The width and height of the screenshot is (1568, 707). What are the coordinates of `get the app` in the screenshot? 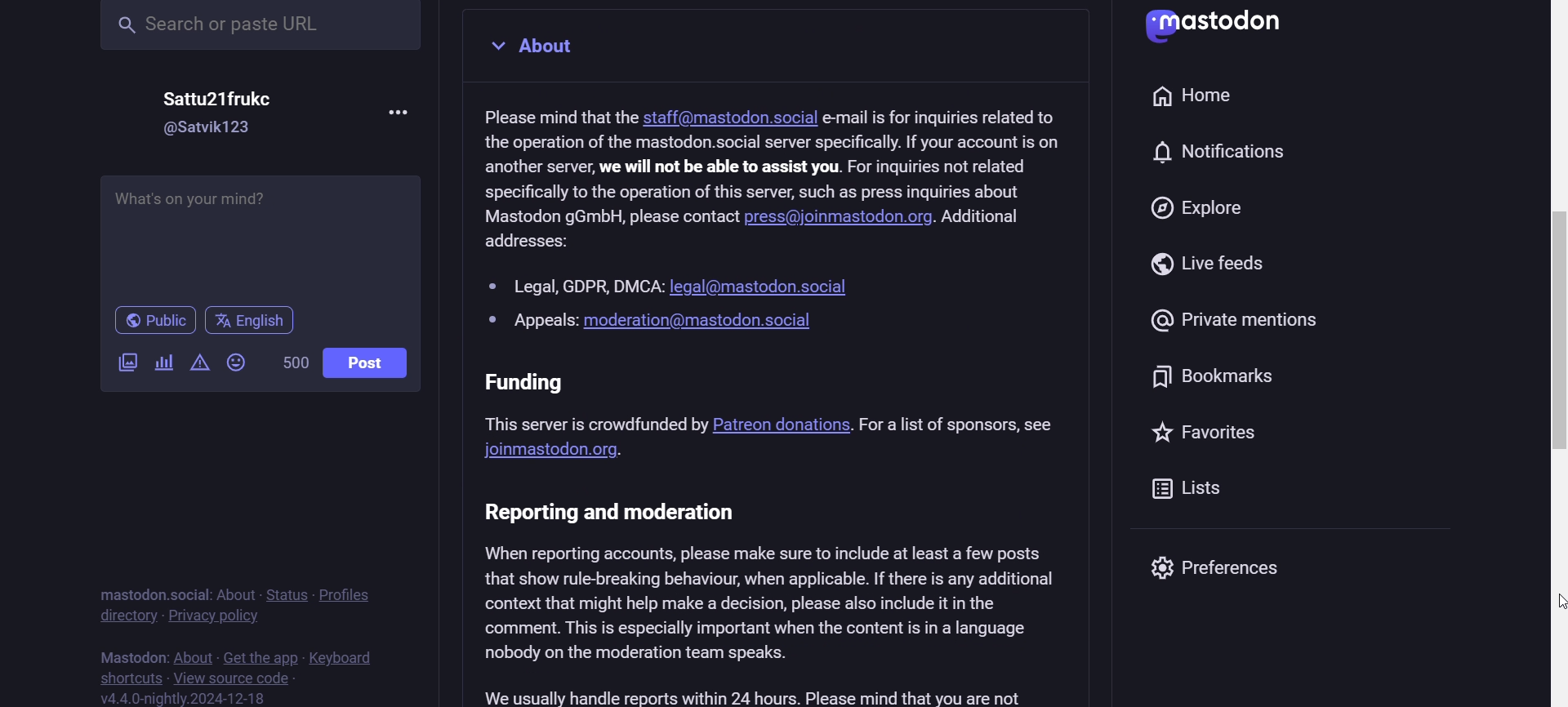 It's located at (260, 655).